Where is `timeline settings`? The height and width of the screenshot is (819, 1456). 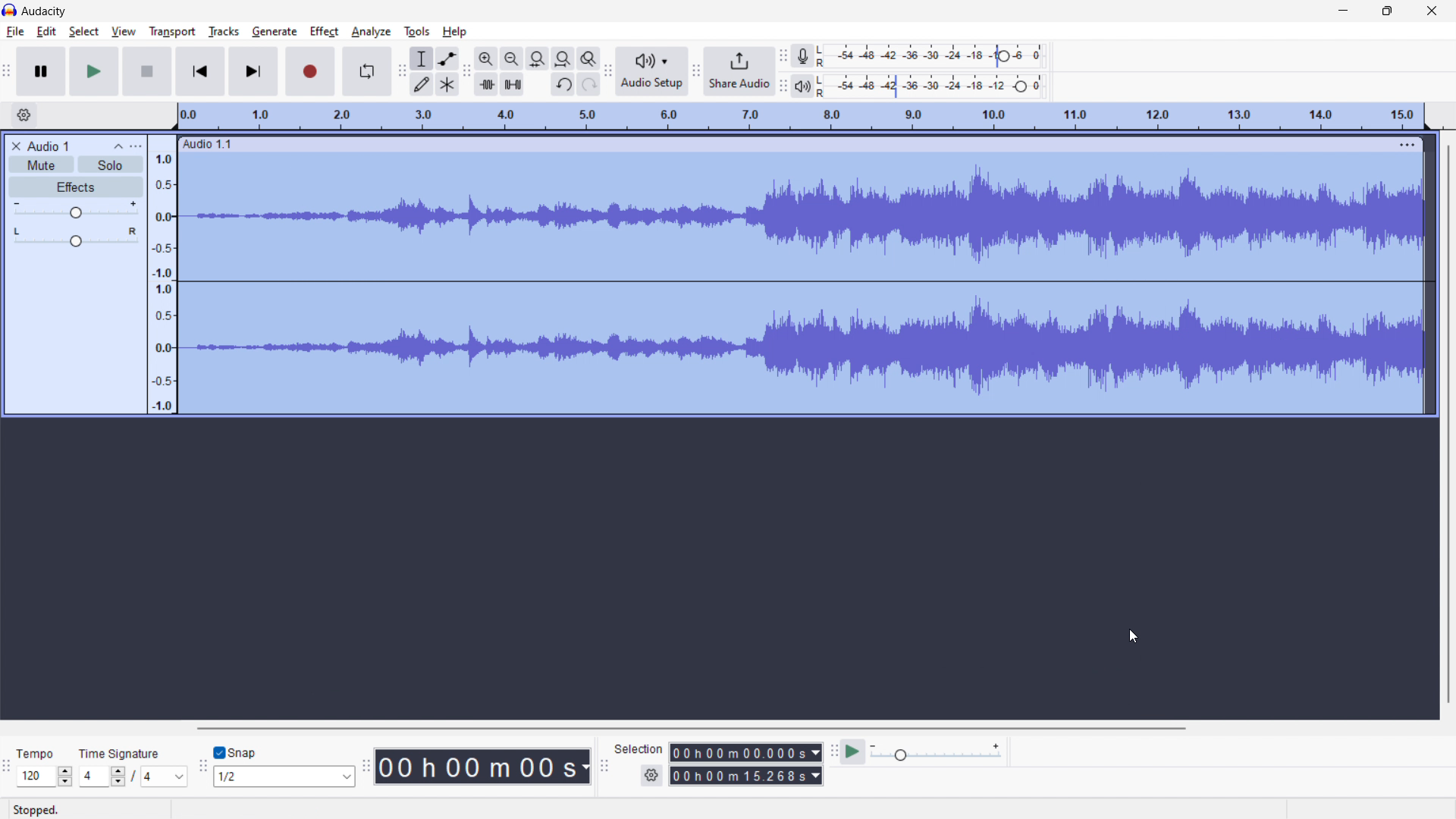
timeline settings is located at coordinates (24, 115).